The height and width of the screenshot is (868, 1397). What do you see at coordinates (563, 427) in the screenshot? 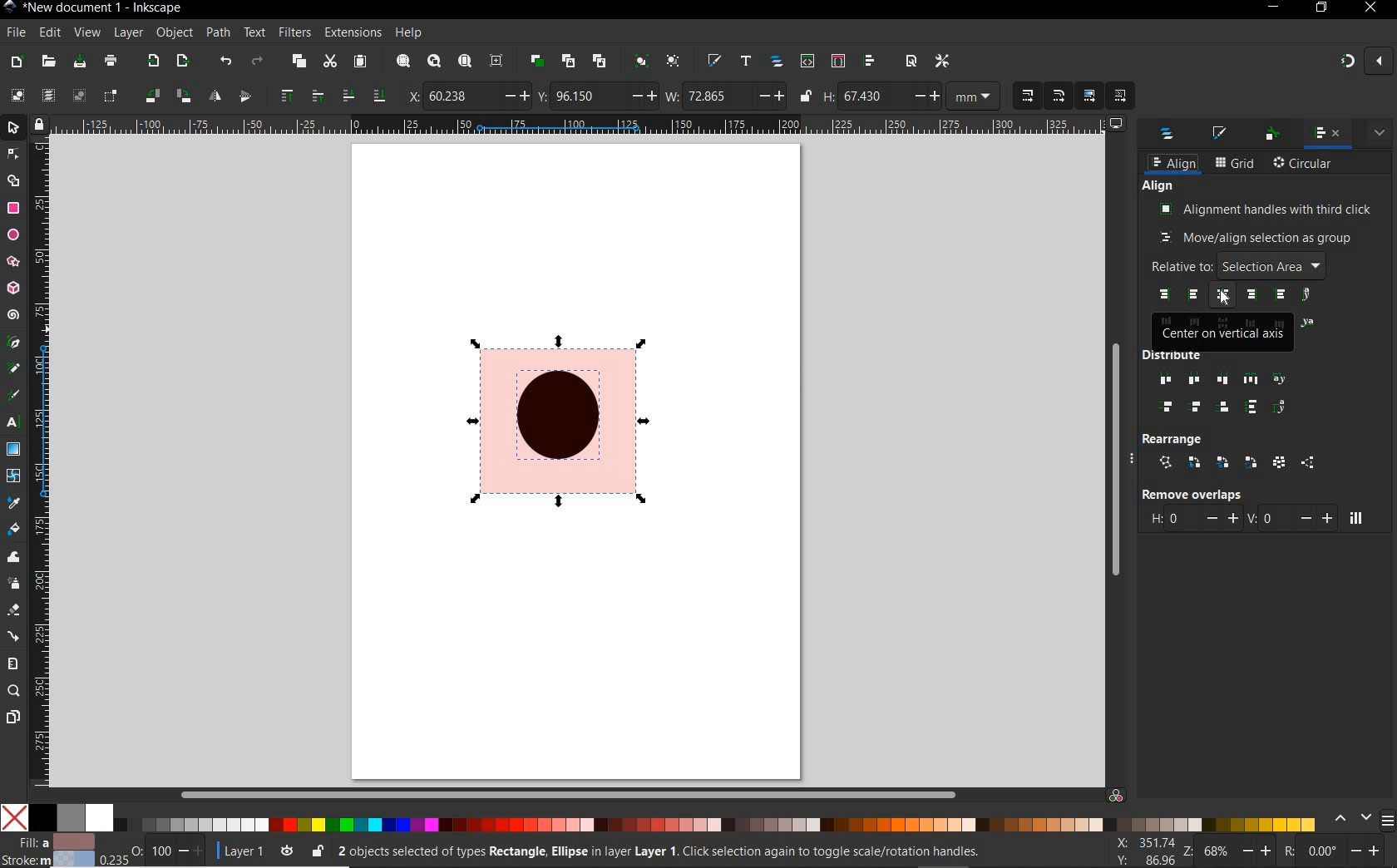
I see `SHAPES ALIGNED TO THEIR CENTER` at bounding box center [563, 427].